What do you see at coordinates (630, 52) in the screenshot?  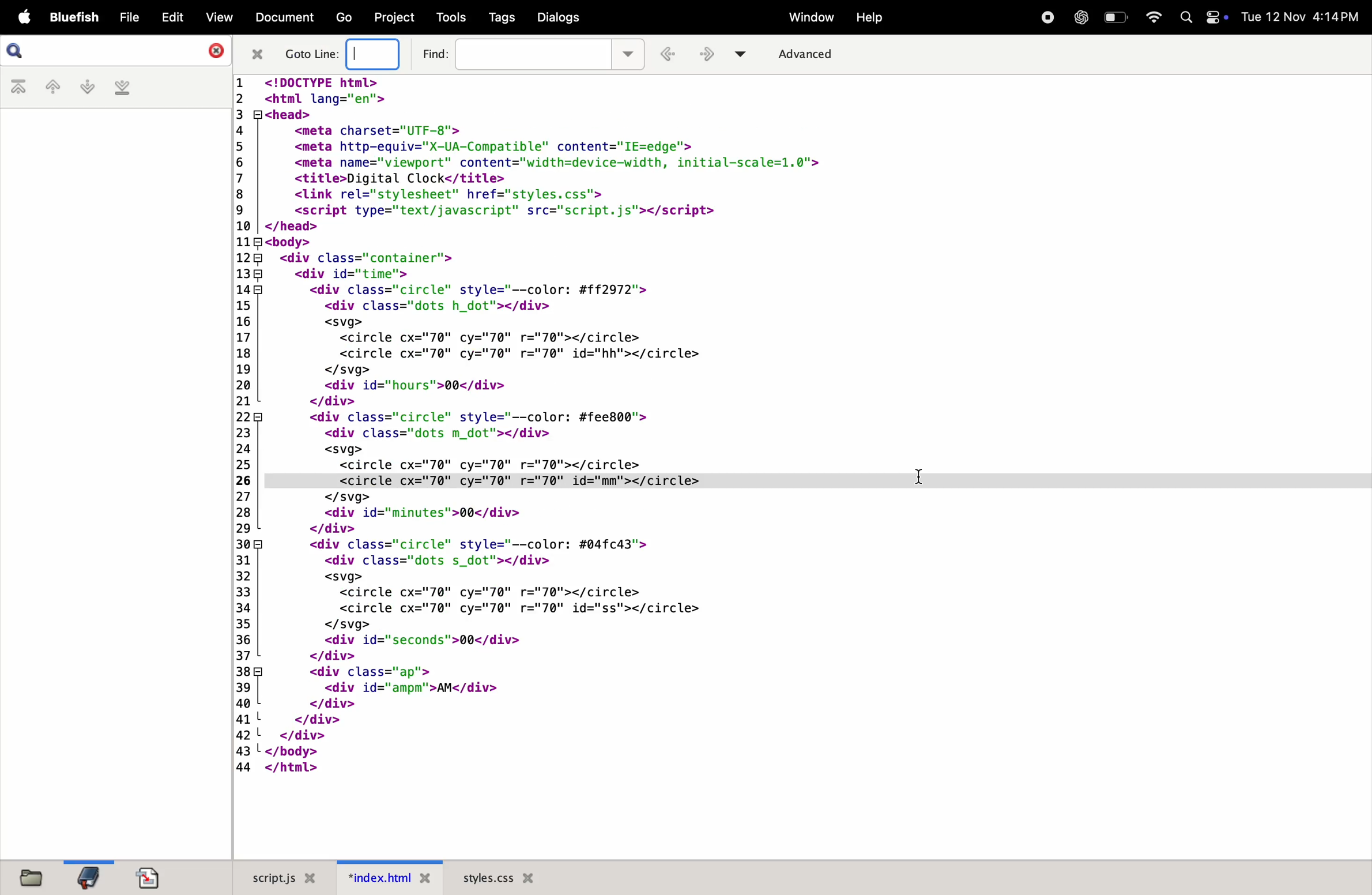 I see `drop down` at bounding box center [630, 52].